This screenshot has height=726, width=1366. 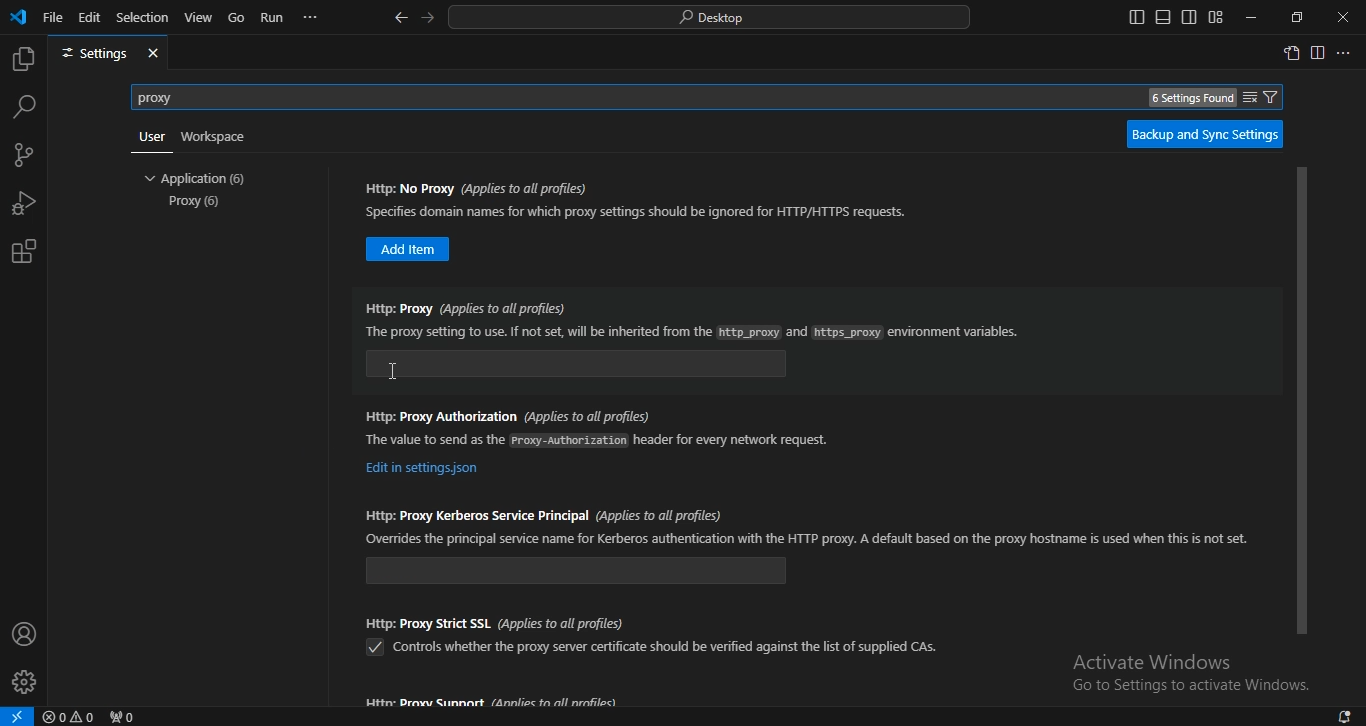 I want to click on Proxy support, so click(x=493, y=702).